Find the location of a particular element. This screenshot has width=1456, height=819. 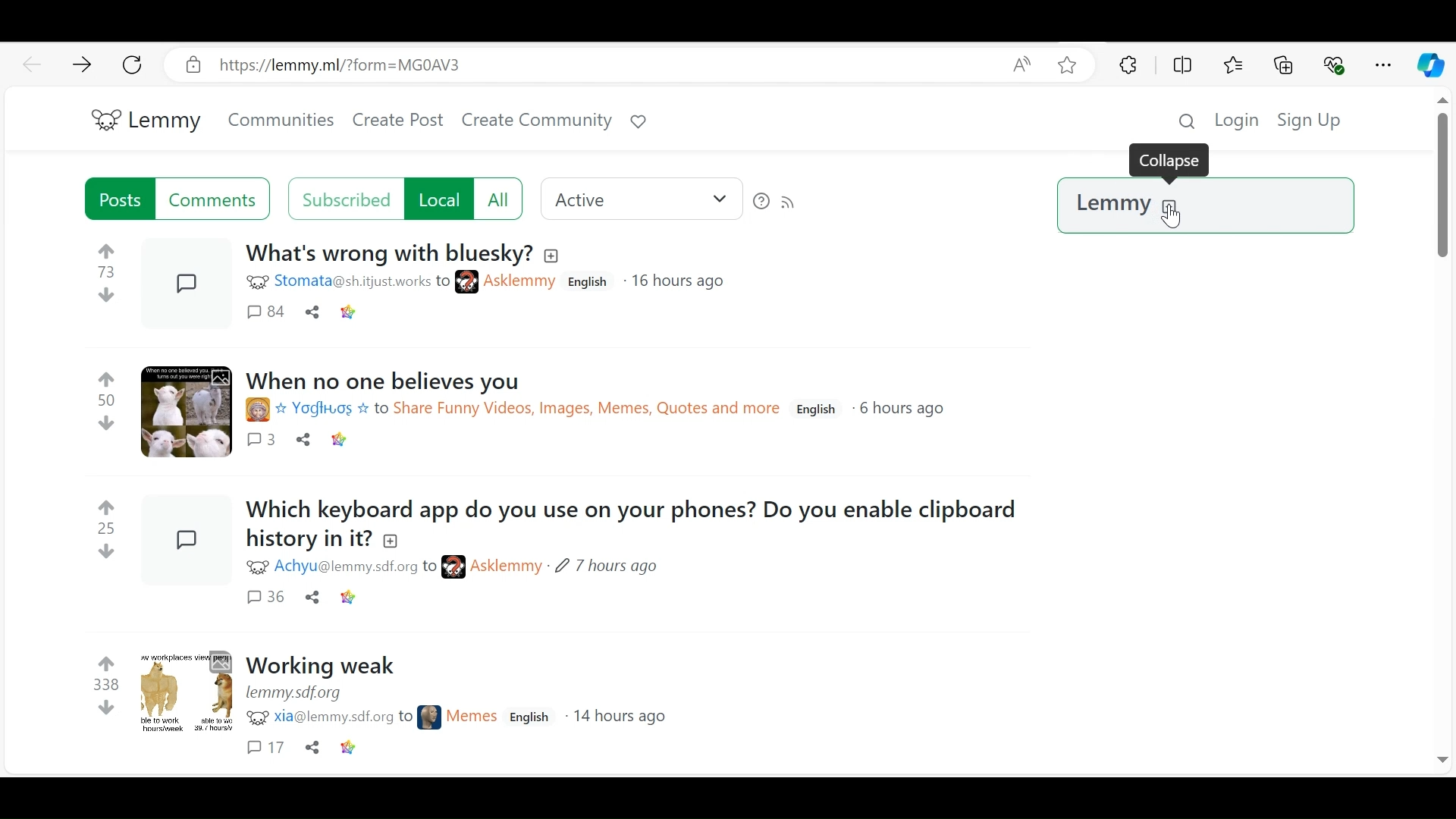

Upvotes is located at coordinates (110, 249).